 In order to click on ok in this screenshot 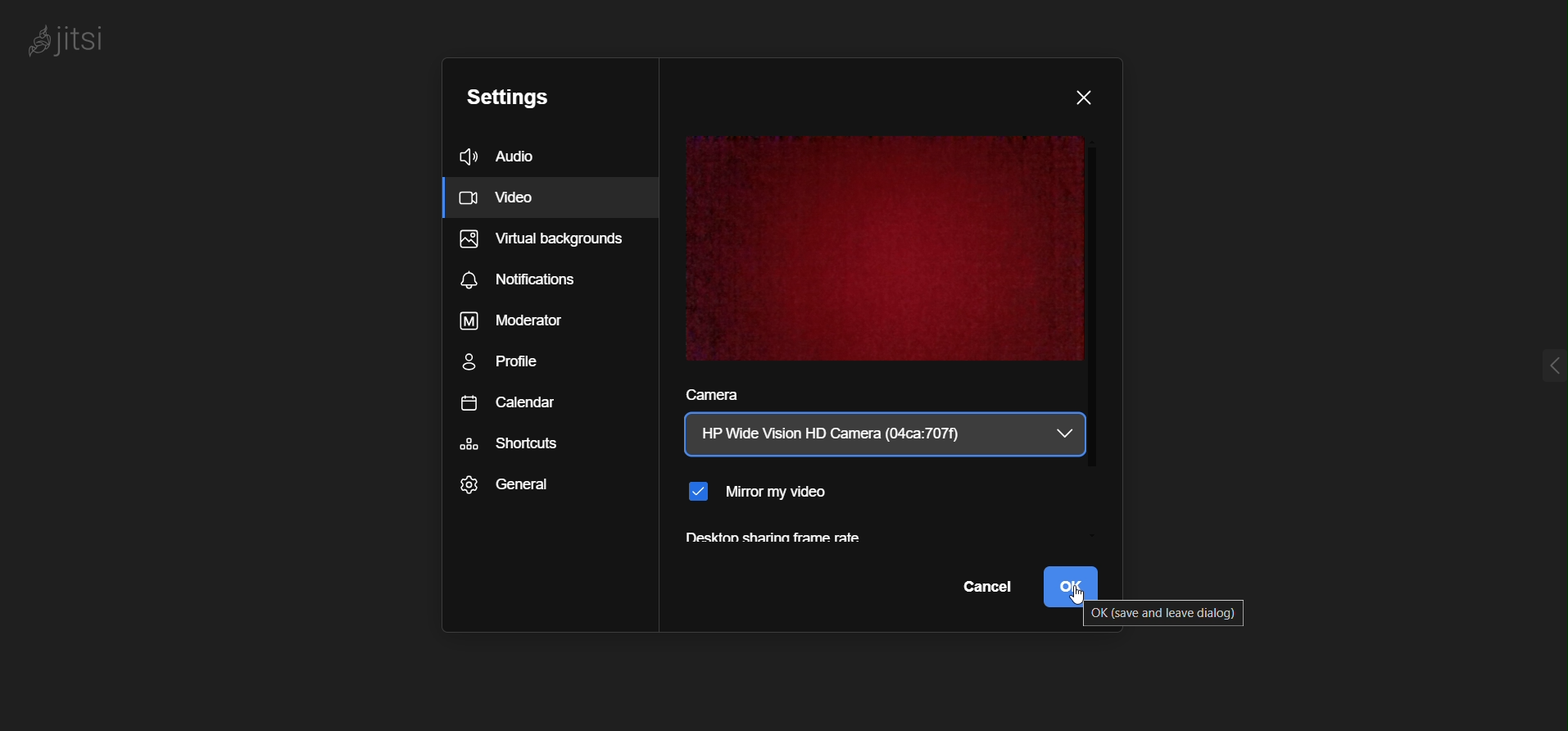, I will do `click(1072, 585)`.